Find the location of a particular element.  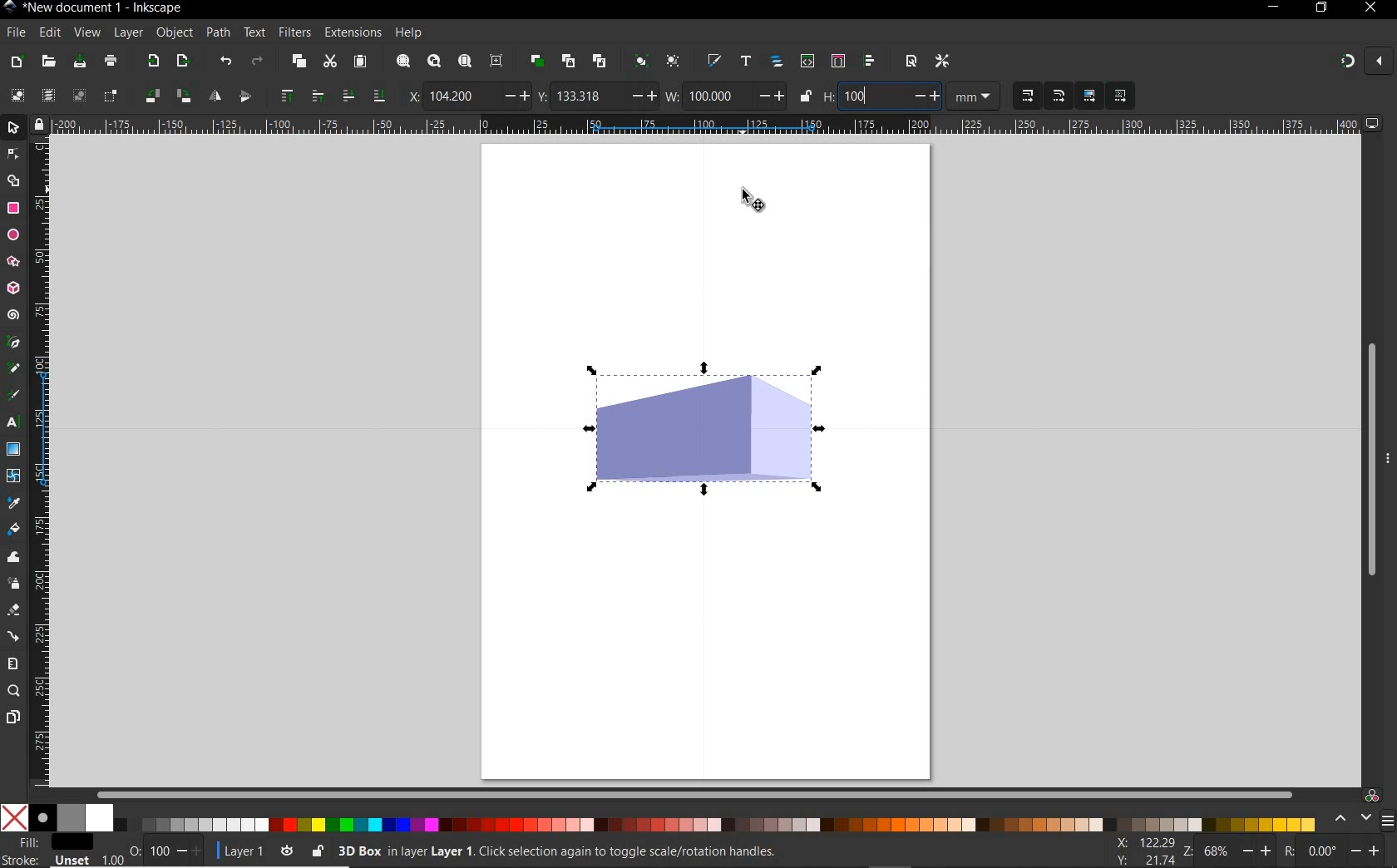

select all in all layers is located at coordinates (47, 95).